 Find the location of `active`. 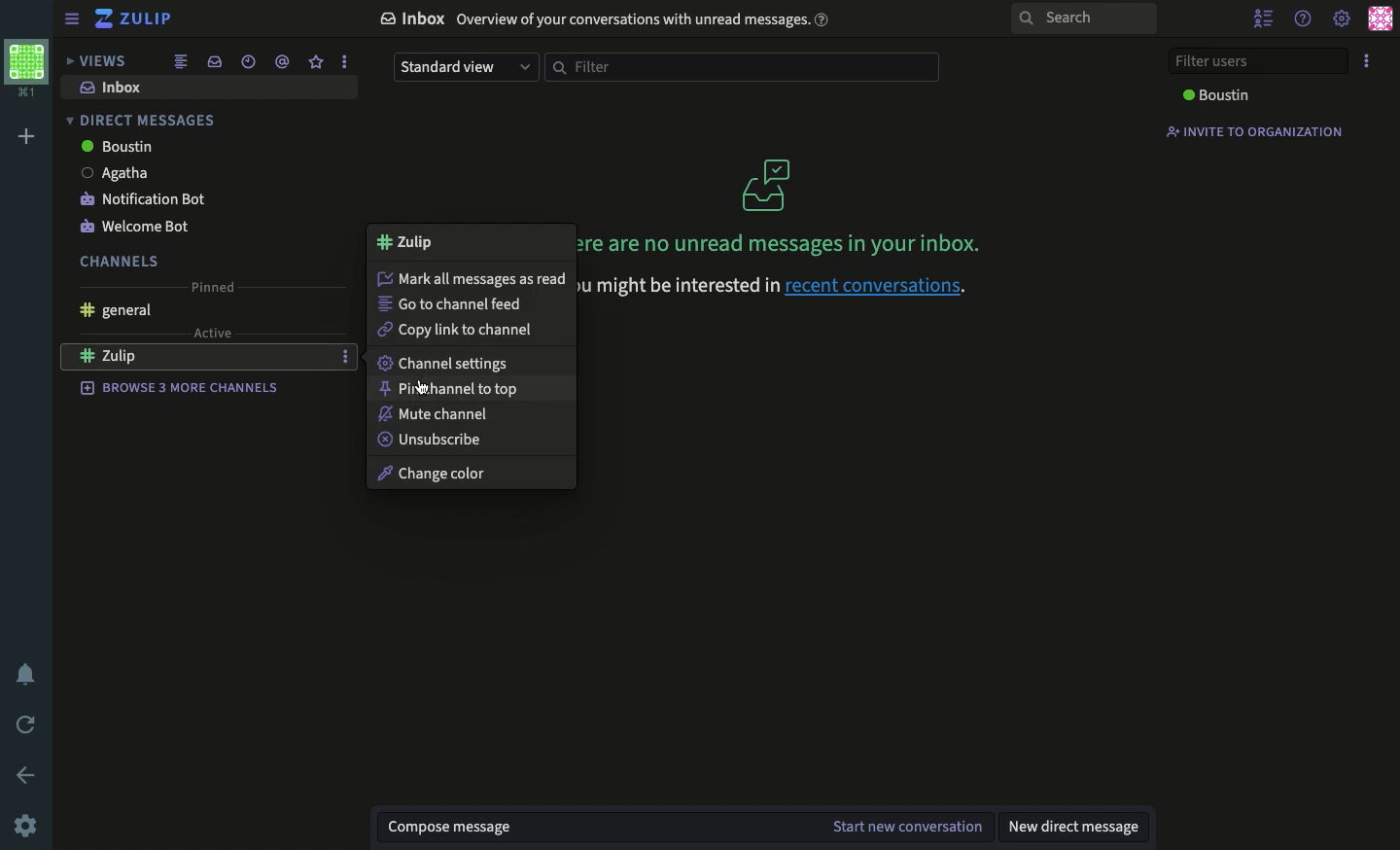

active is located at coordinates (214, 333).